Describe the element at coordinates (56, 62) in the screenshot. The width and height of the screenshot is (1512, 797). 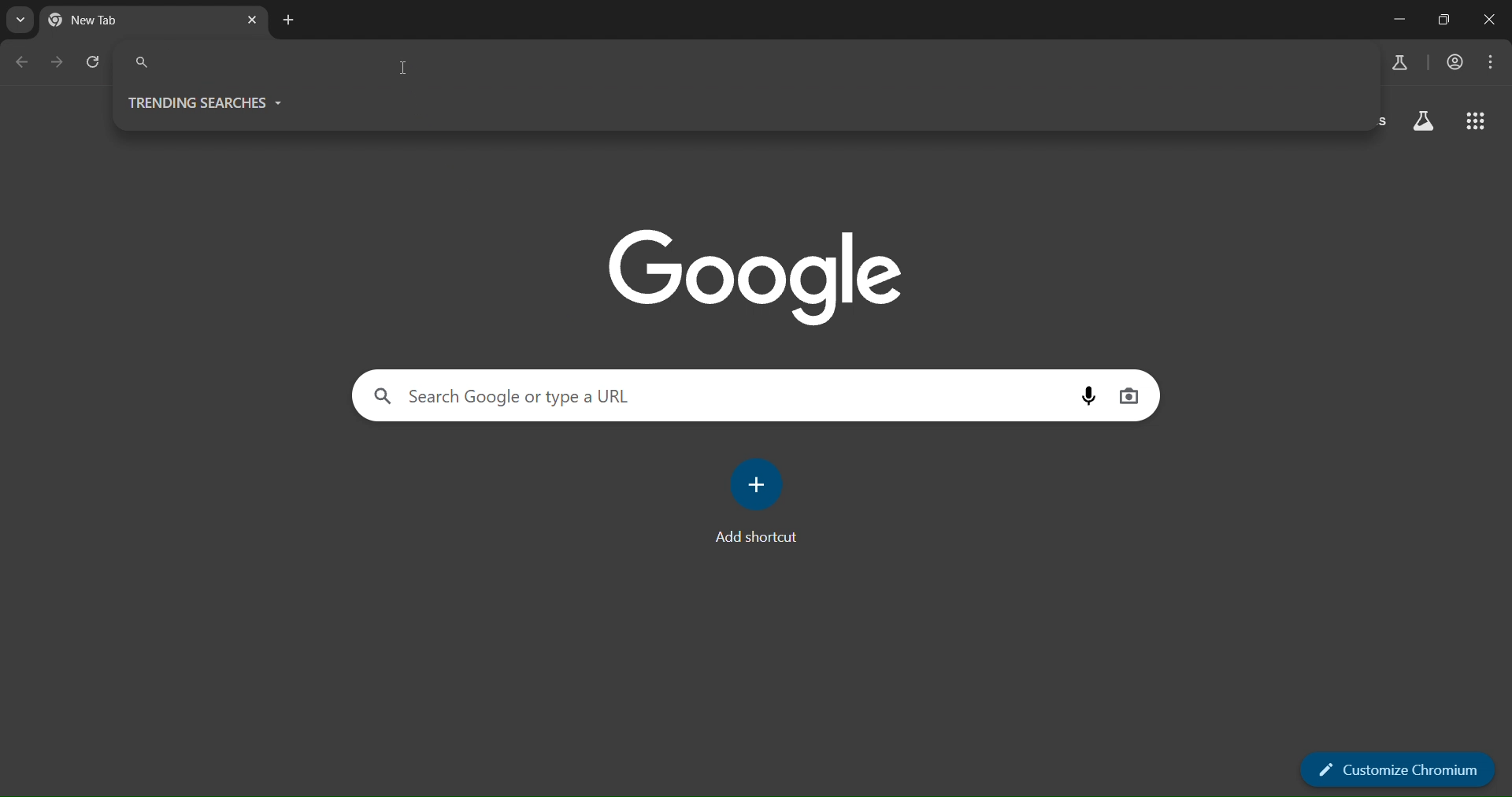
I see `go forward one page` at that location.